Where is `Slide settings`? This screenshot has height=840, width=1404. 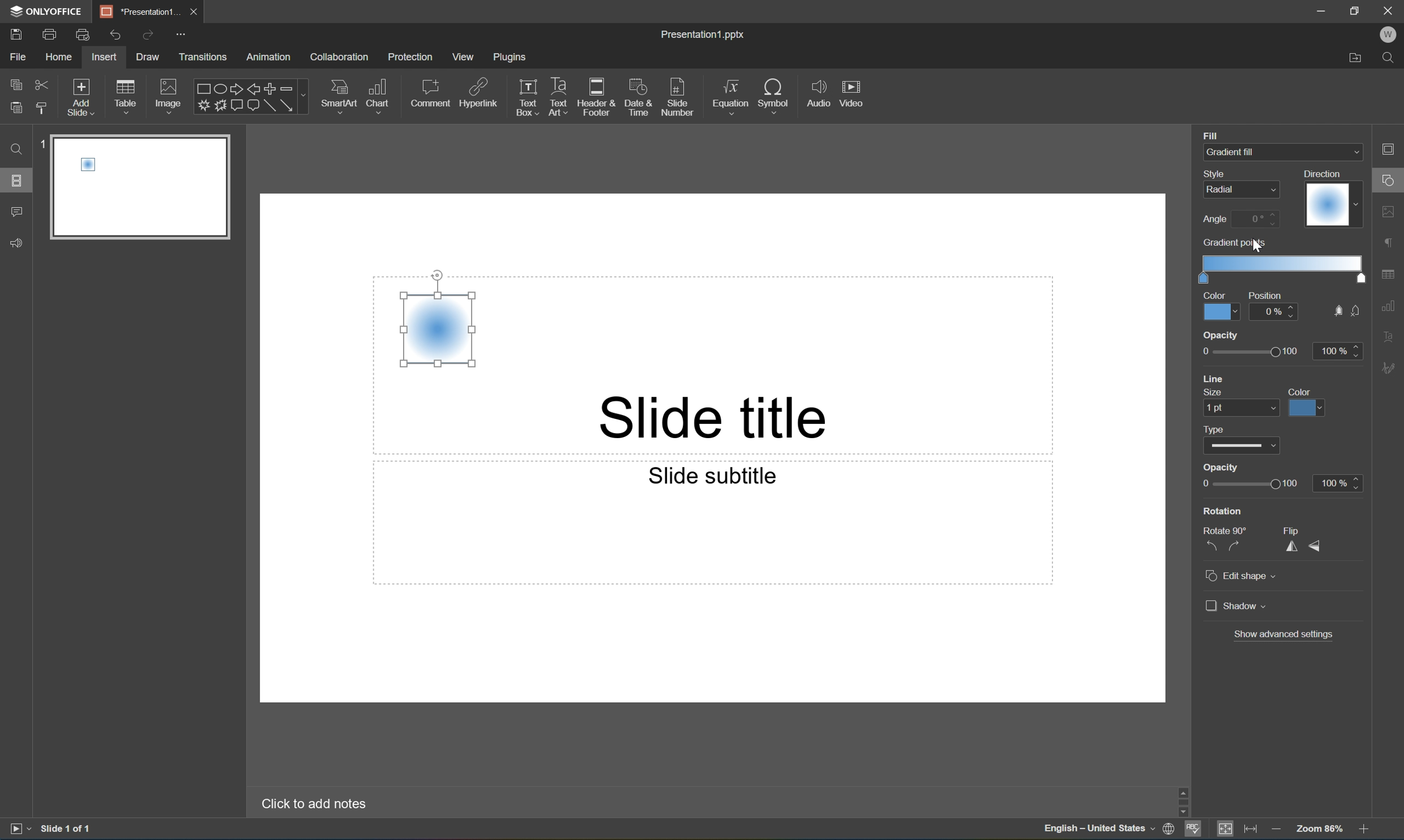 Slide settings is located at coordinates (1393, 148).